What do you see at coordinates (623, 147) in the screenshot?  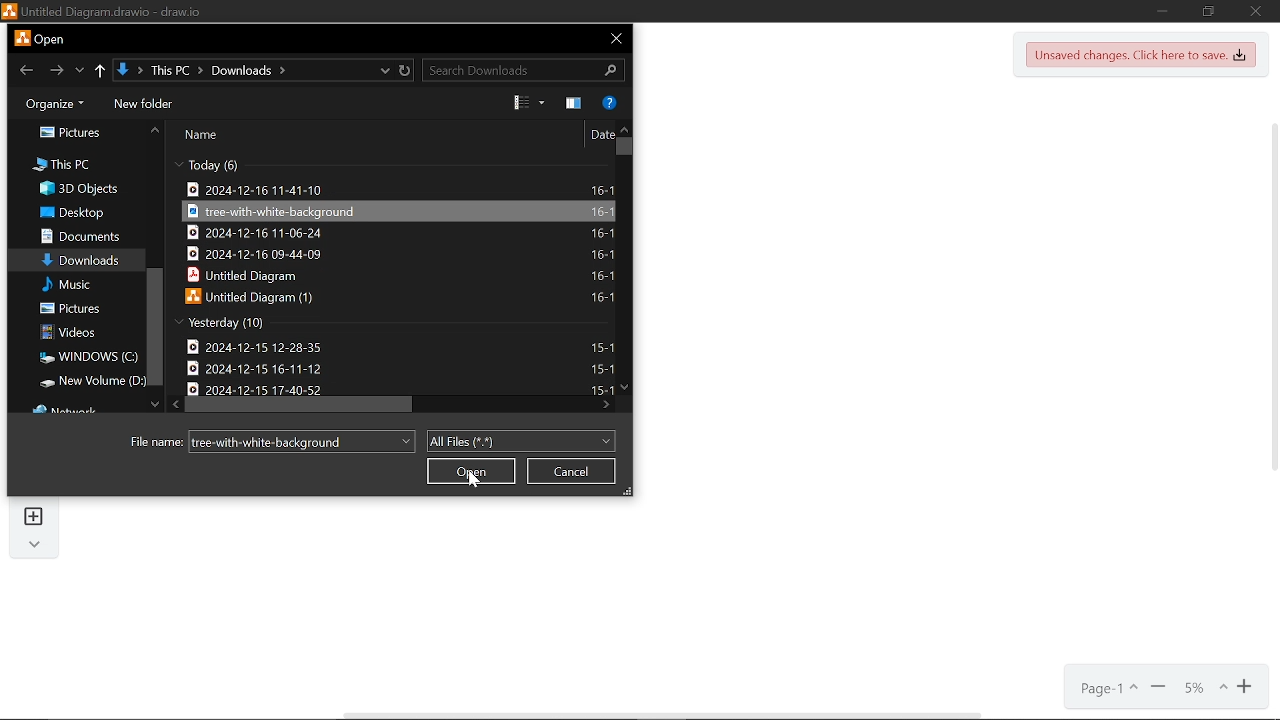 I see `Vertical scrollbar` at bounding box center [623, 147].